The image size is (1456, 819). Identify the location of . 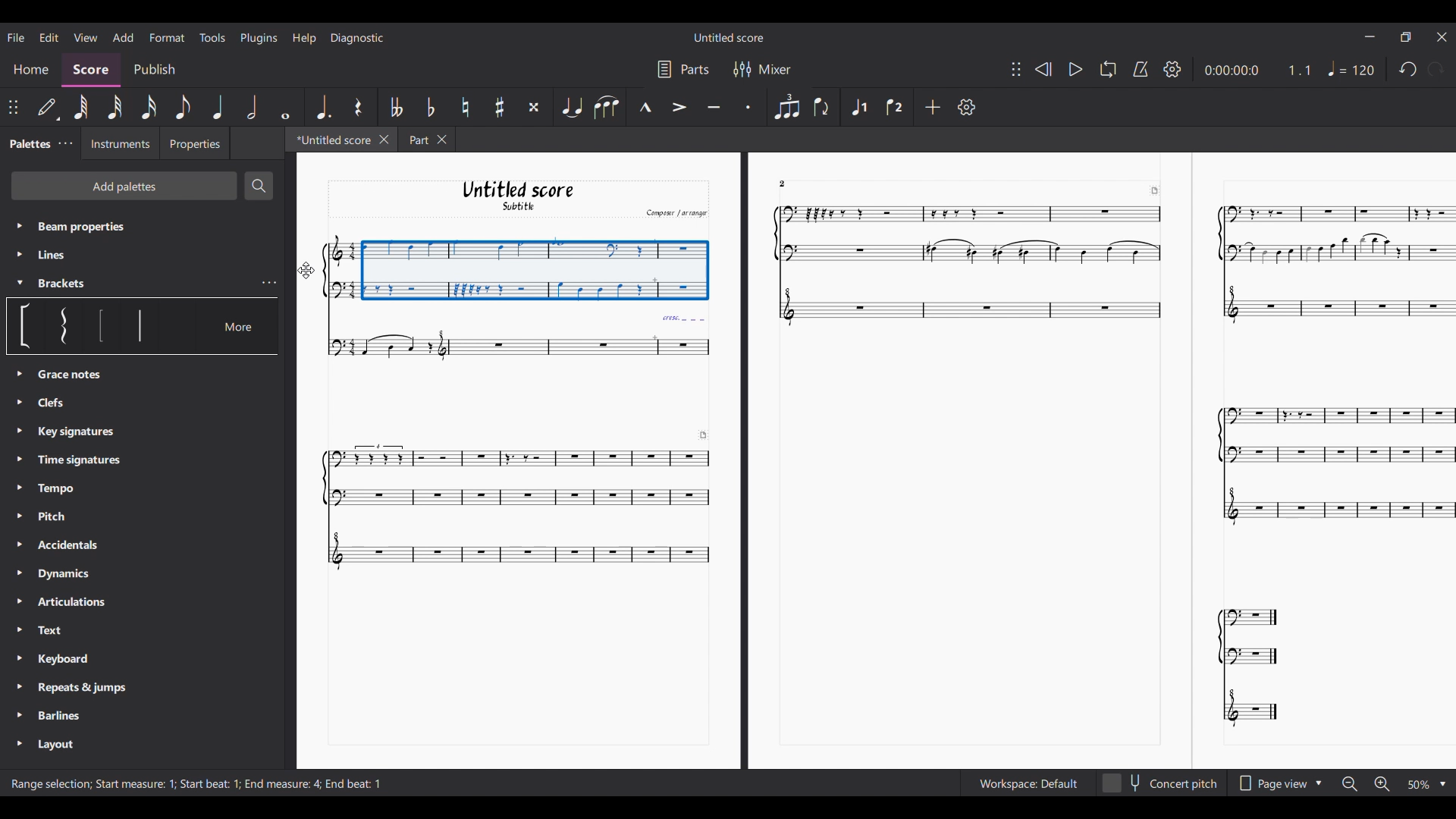
(20, 715).